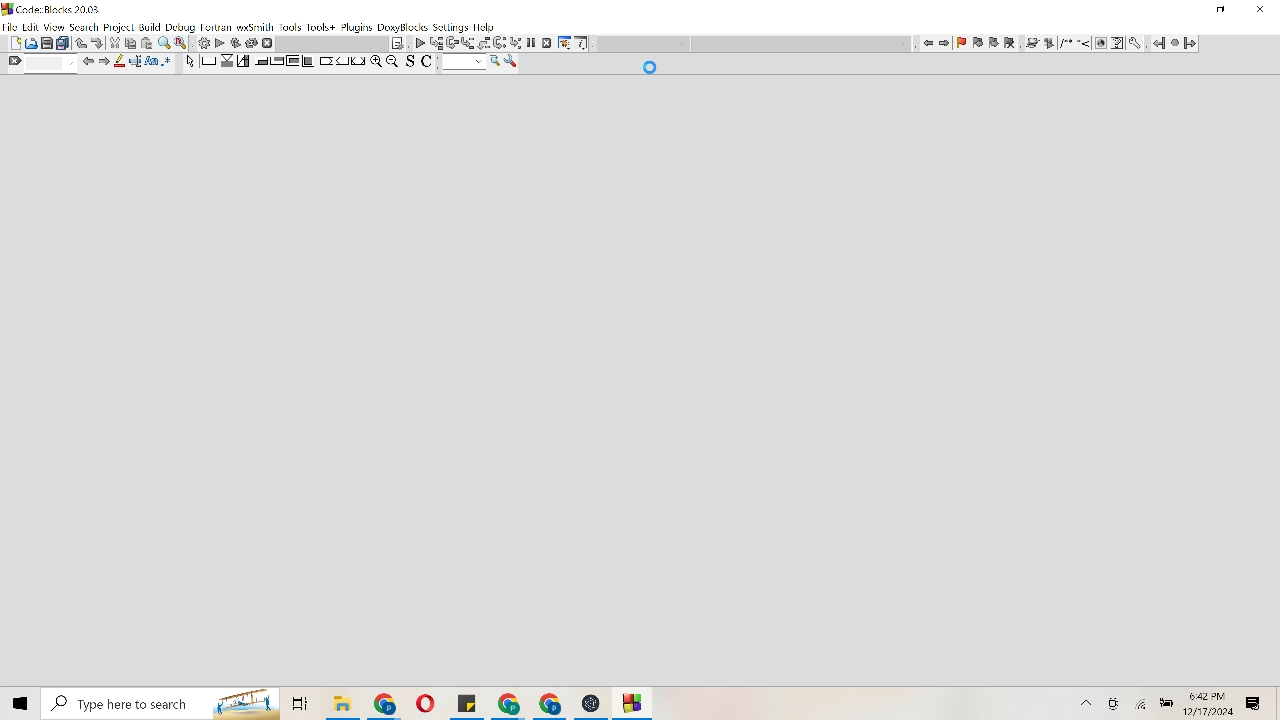 Image resolution: width=1280 pixels, height=720 pixels. What do you see at coordinates (467, 703) in the screenshot?
I see `File` at bounding box center [467, 703].